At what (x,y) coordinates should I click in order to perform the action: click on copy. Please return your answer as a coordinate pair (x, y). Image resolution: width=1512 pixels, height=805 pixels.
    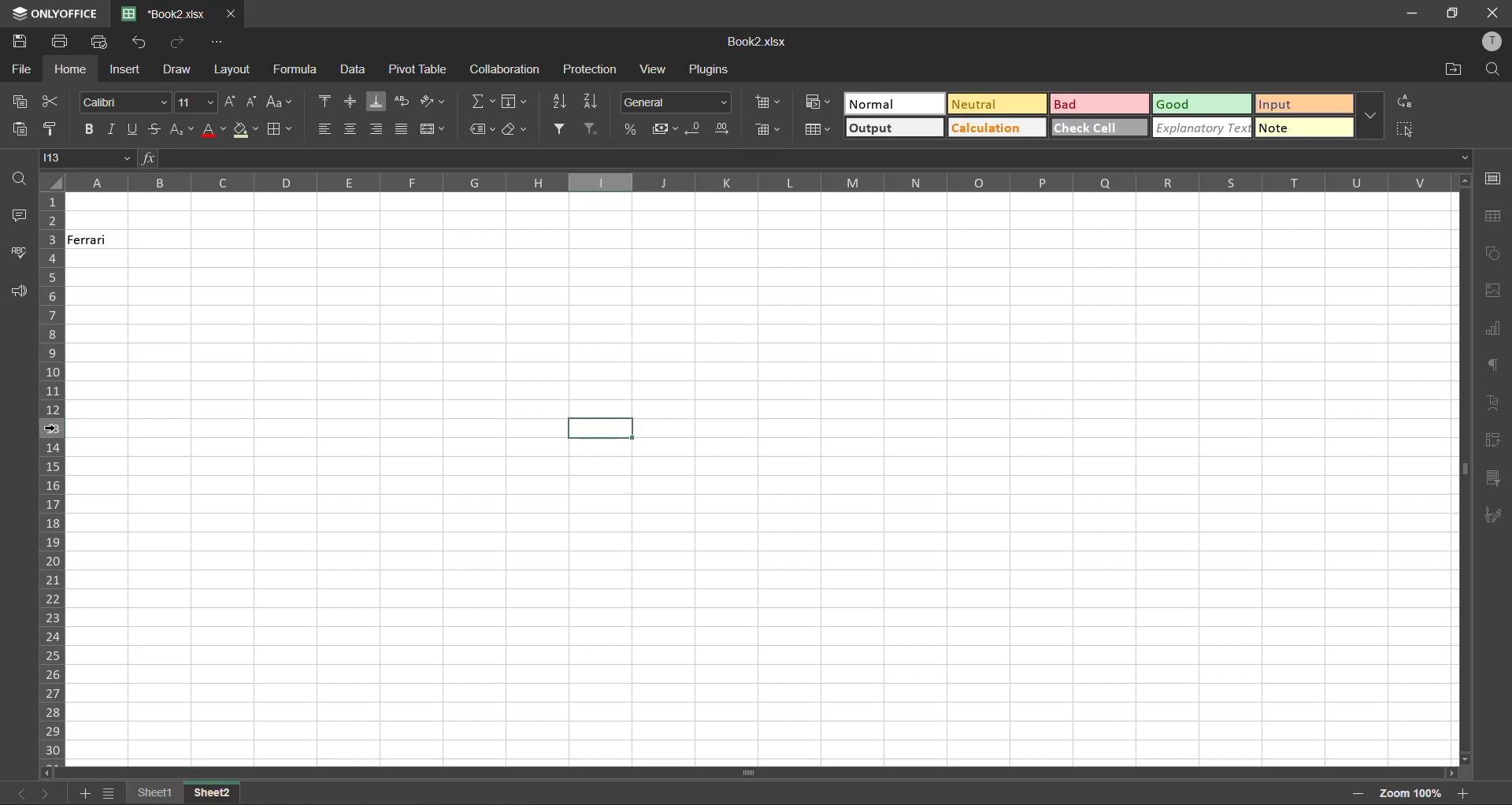
    Looking at the image, I should click on (21, 103).